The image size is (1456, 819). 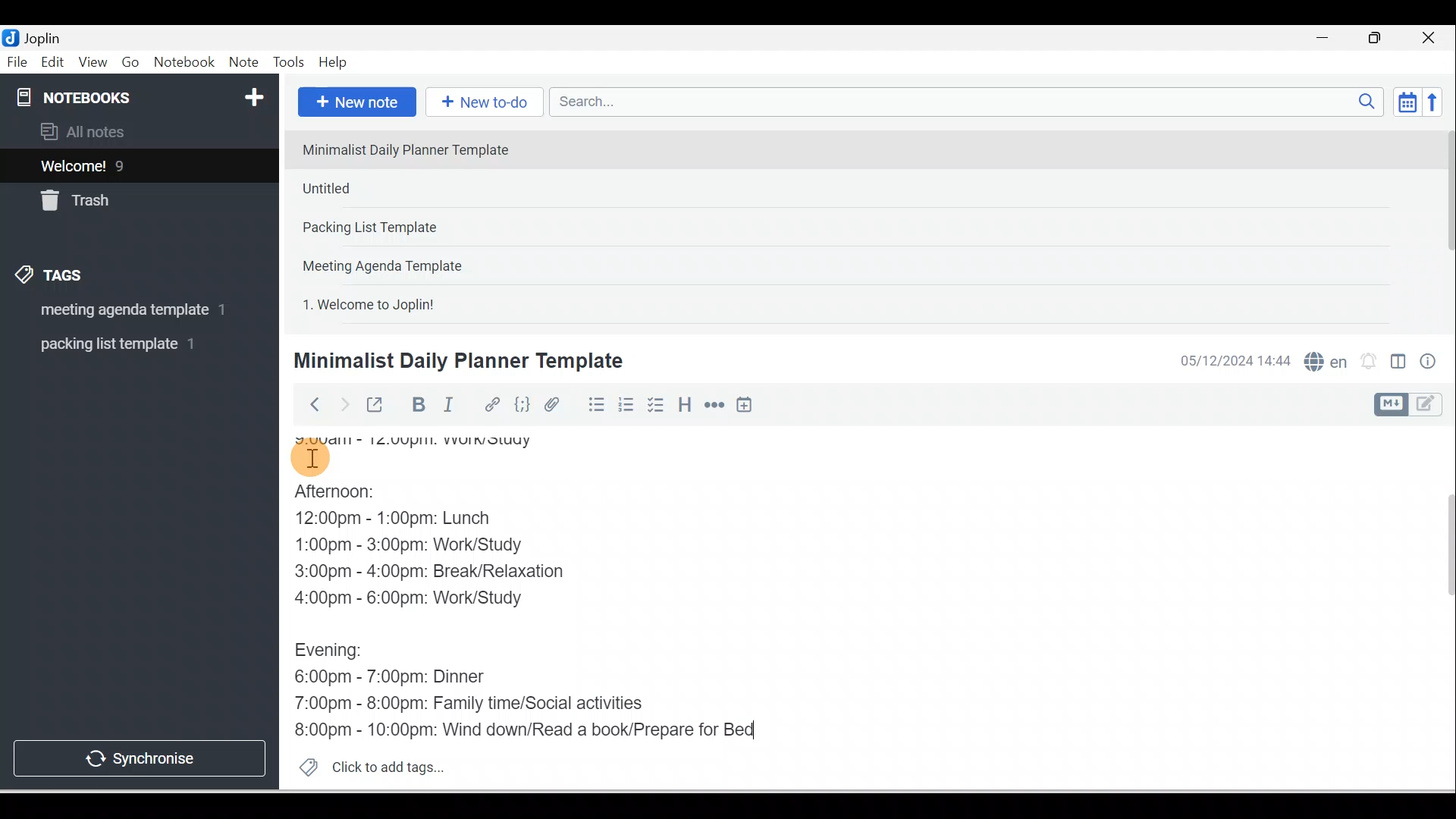 What do you see at coordinates (128, 162) in the screenshot?
I see `Notes` at bounding box center [128, 162].